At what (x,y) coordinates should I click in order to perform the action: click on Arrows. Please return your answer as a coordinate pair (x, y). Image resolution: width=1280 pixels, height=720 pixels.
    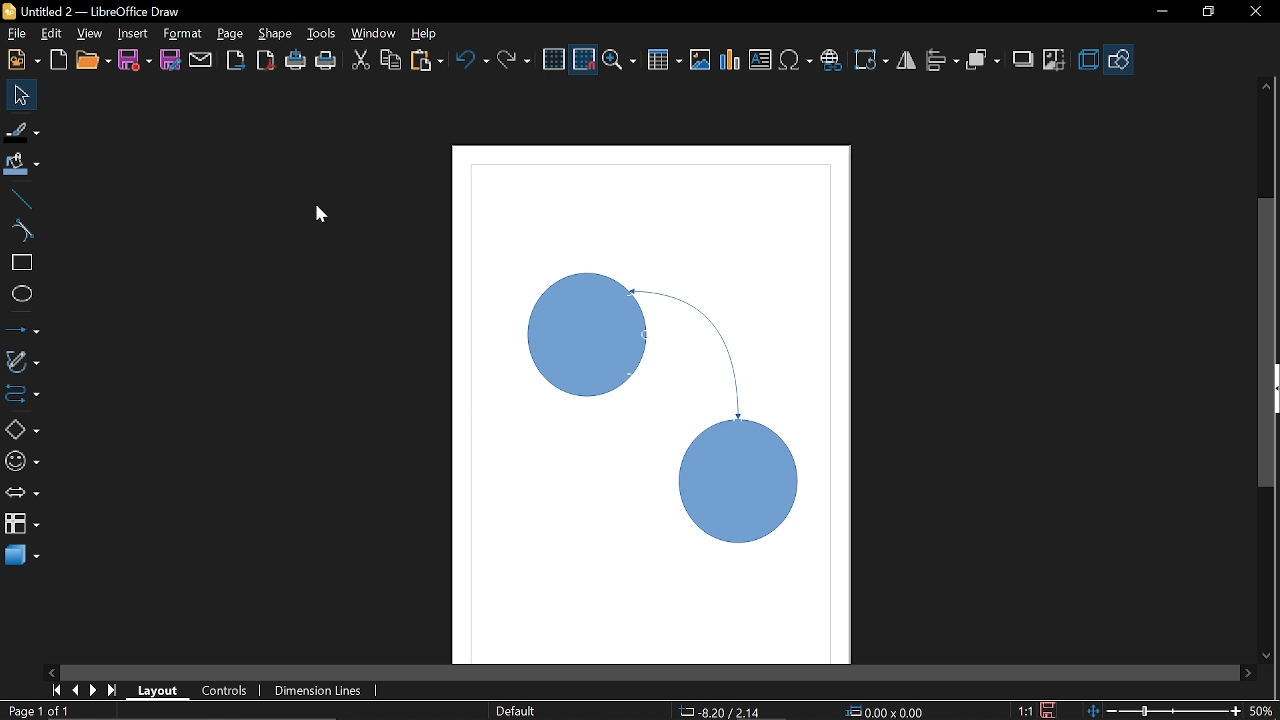
    Looking at the image, I should click on (22, 495).